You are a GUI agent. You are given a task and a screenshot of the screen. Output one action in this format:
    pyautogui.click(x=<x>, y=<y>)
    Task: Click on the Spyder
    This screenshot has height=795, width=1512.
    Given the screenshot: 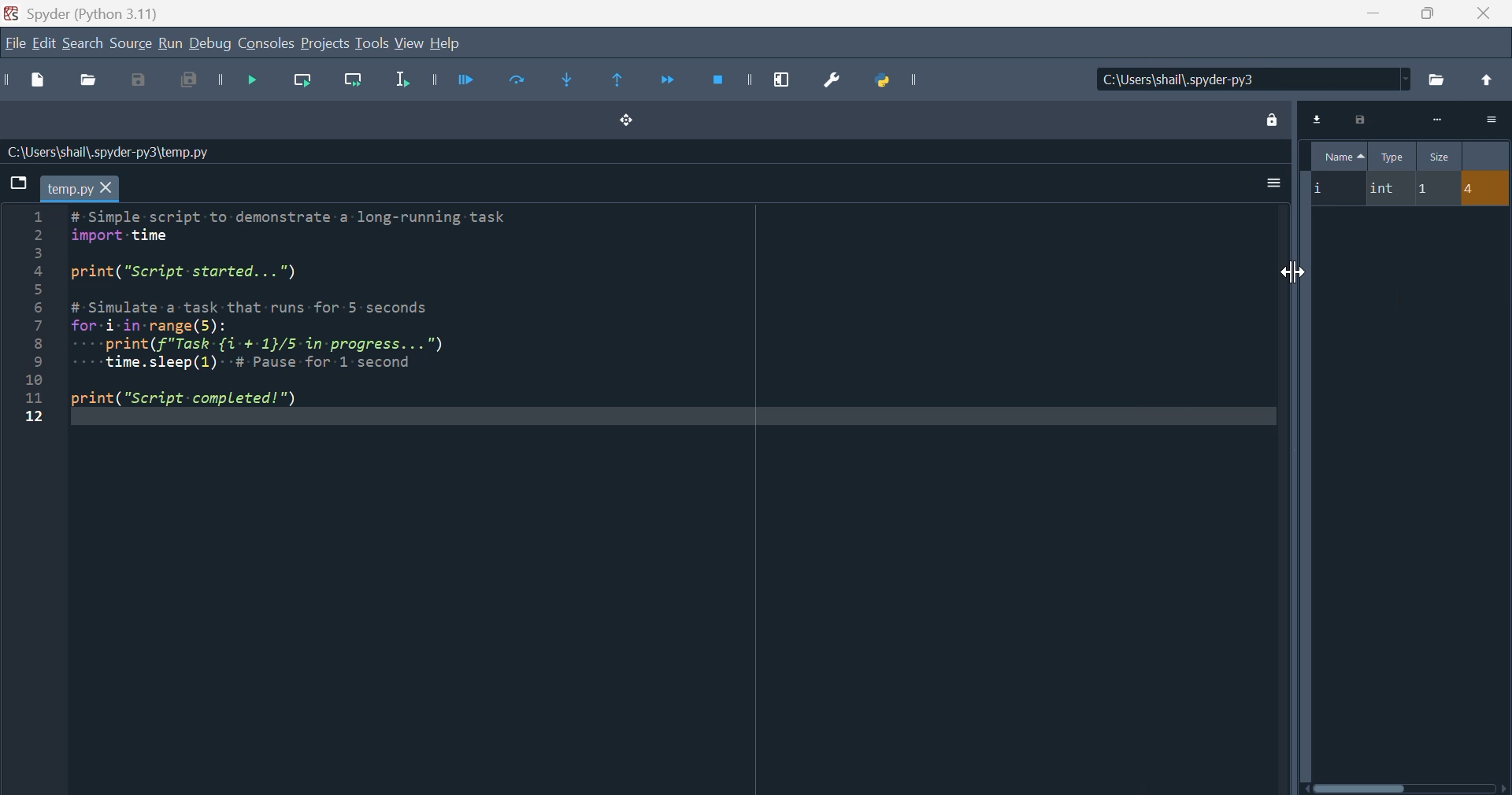 What is the action you would take?
    pyautogui.click(x=117, y=12)
    